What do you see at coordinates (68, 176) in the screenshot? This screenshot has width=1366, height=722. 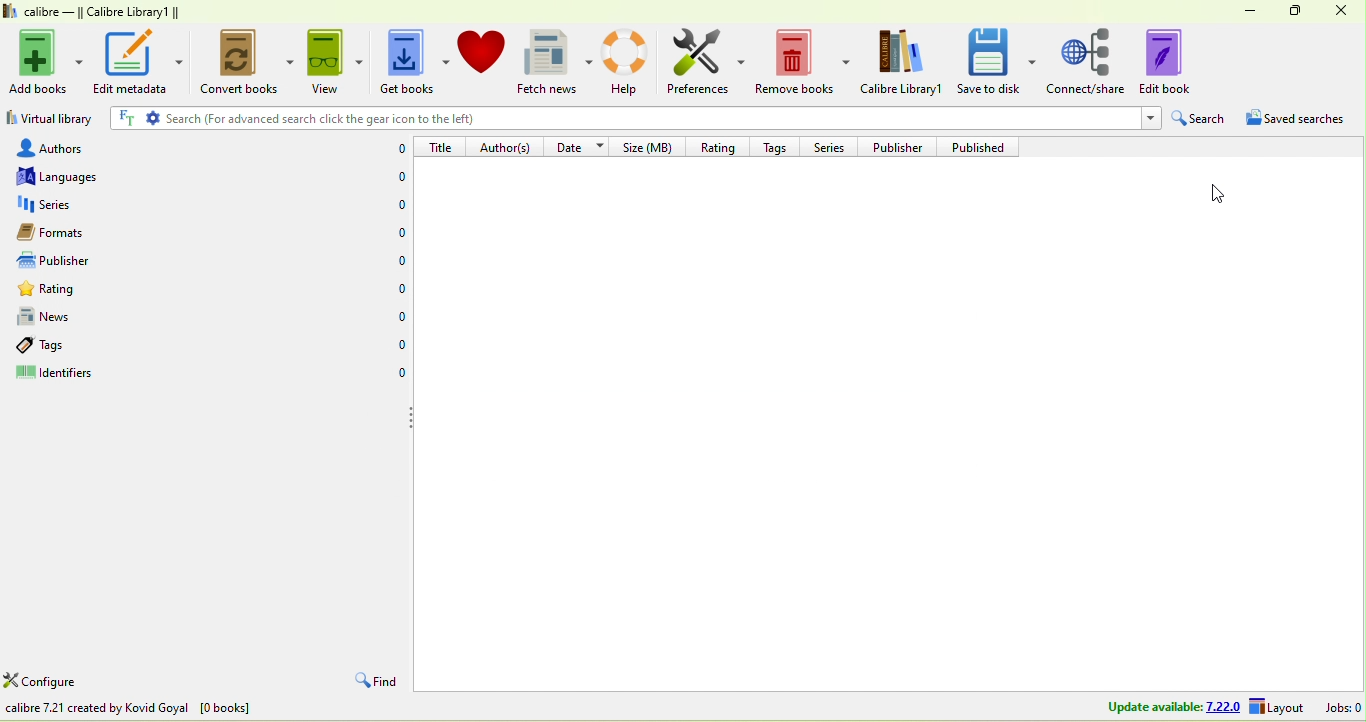 I see `languages` at bounding box center [68, 176].